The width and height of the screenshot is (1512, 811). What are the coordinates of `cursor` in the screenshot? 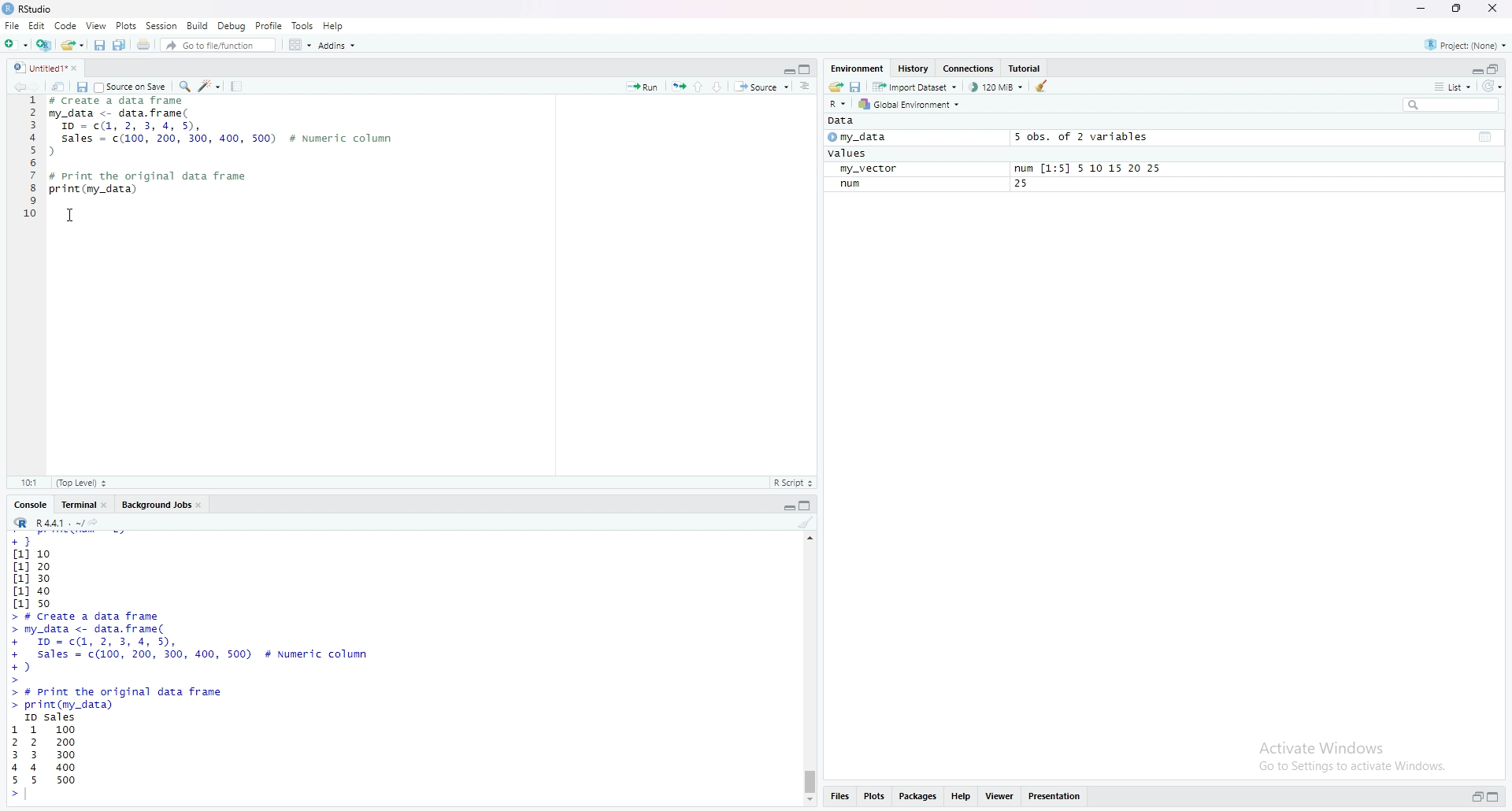 It's located at (75, 213).